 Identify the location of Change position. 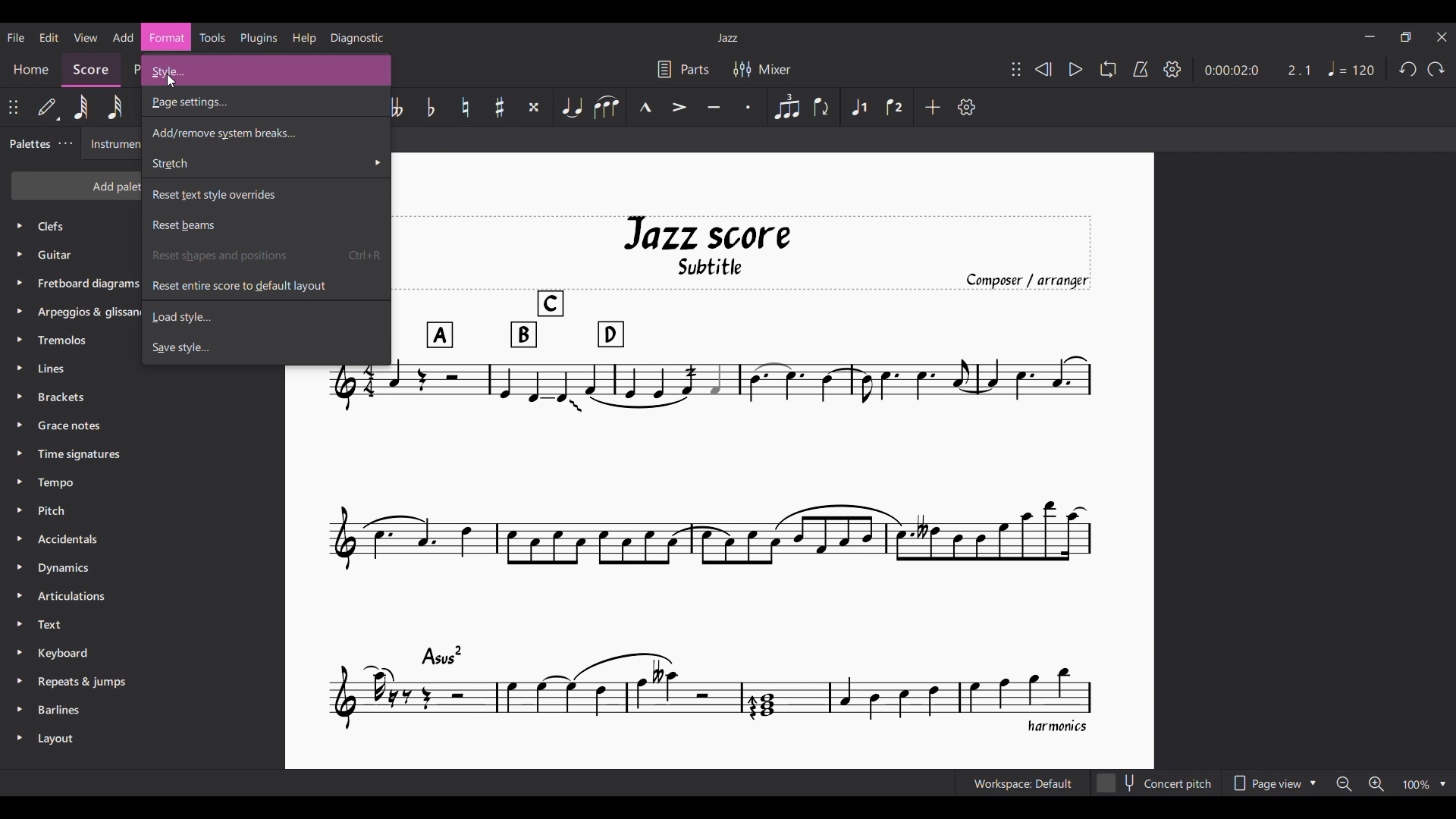
(1016, 69).